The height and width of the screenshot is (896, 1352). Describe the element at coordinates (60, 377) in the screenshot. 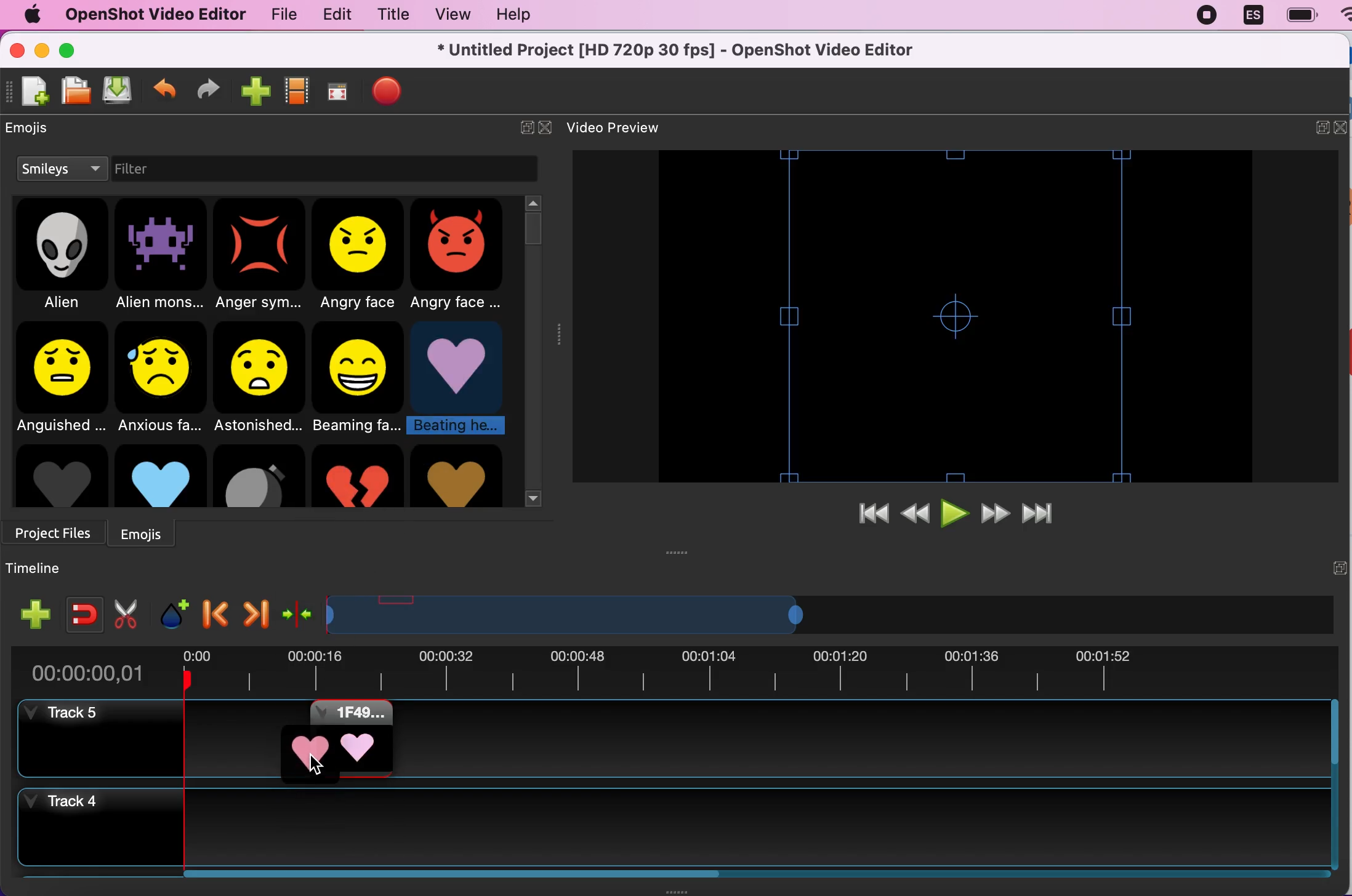

I see `anguished` at that location.